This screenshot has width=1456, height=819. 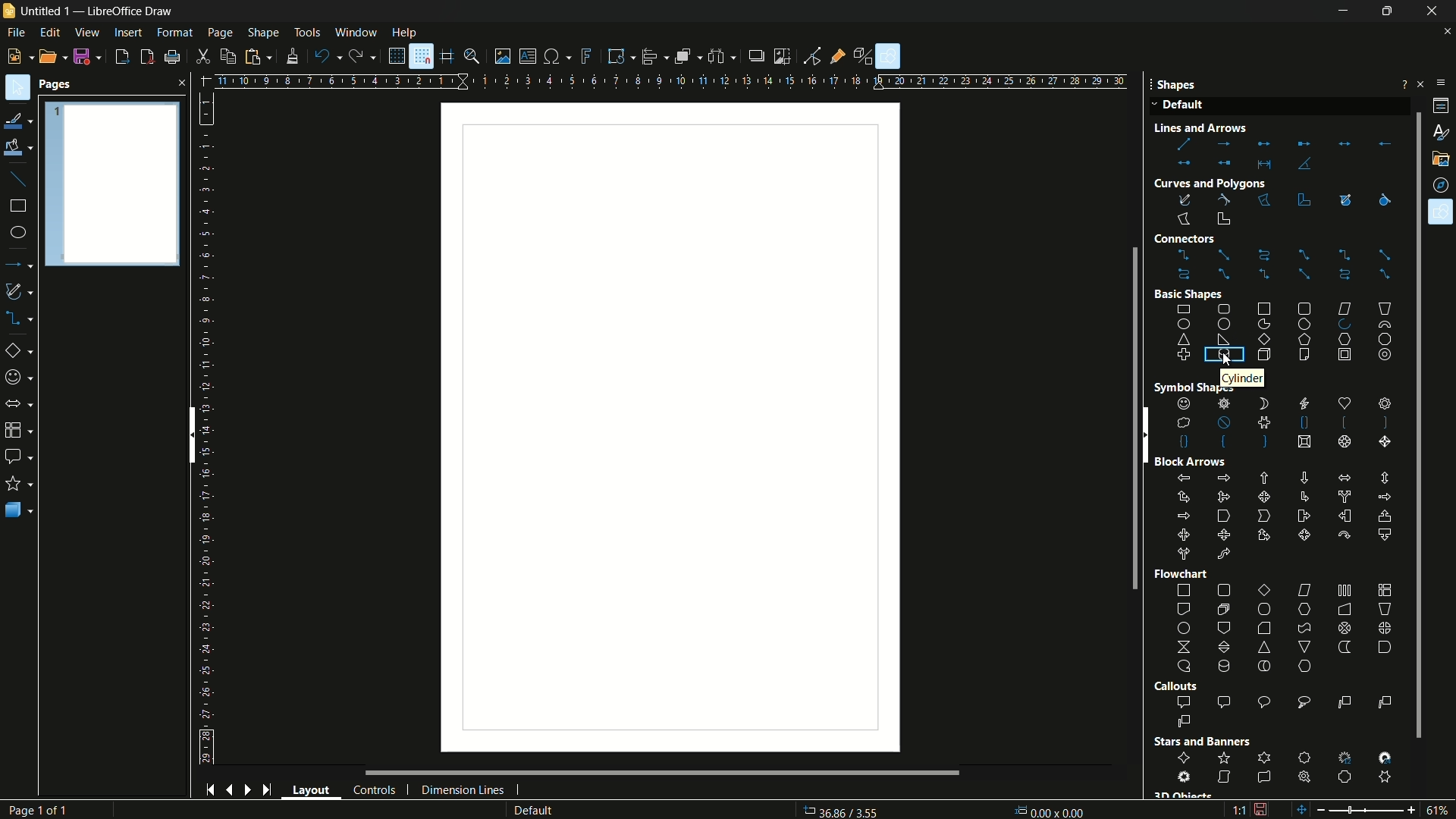 What do you see at coordinates (328, 57) in the screenshot?
I see `undo` at bounding box center [328, 57].